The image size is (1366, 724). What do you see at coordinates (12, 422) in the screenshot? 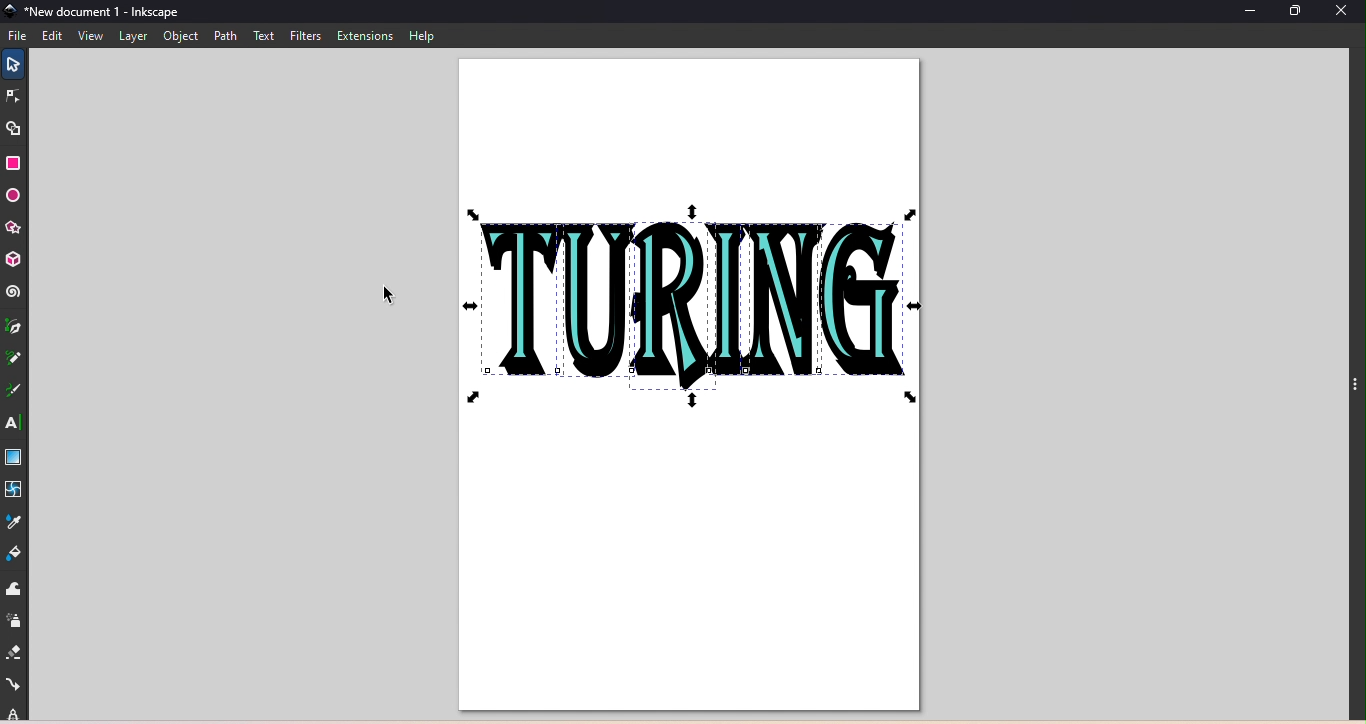
I see `Text tool` at bounding box center [12, 422].